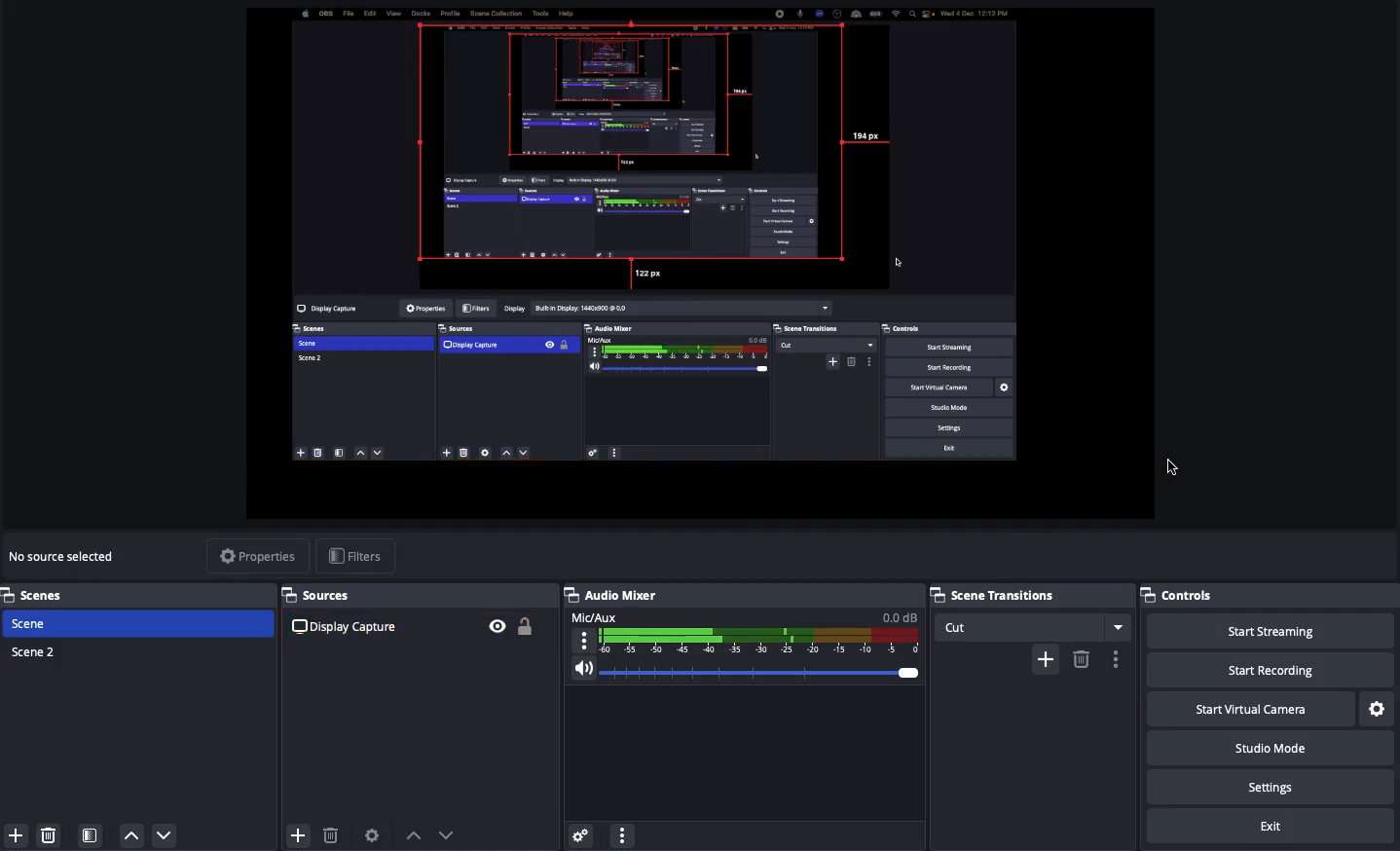 The width and height of the screenshot is (1400, 851). Describe the element at coordinates (417, 615) in the screenshot. I see `Sources` at that location.